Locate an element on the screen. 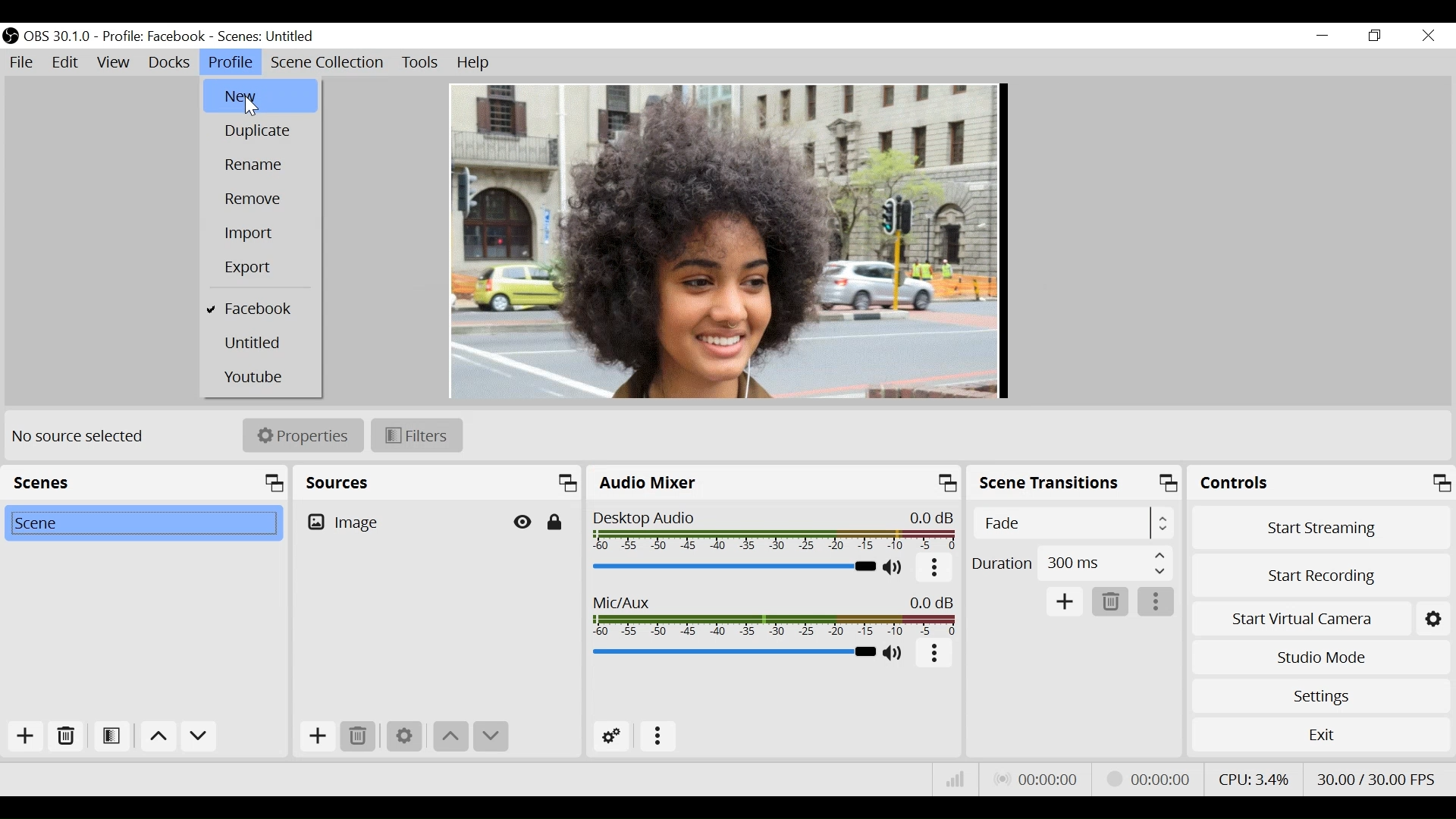 Image resolution: width=1456 pixels, height=819 pixels. Delete is located at coordinates (1111, 601).